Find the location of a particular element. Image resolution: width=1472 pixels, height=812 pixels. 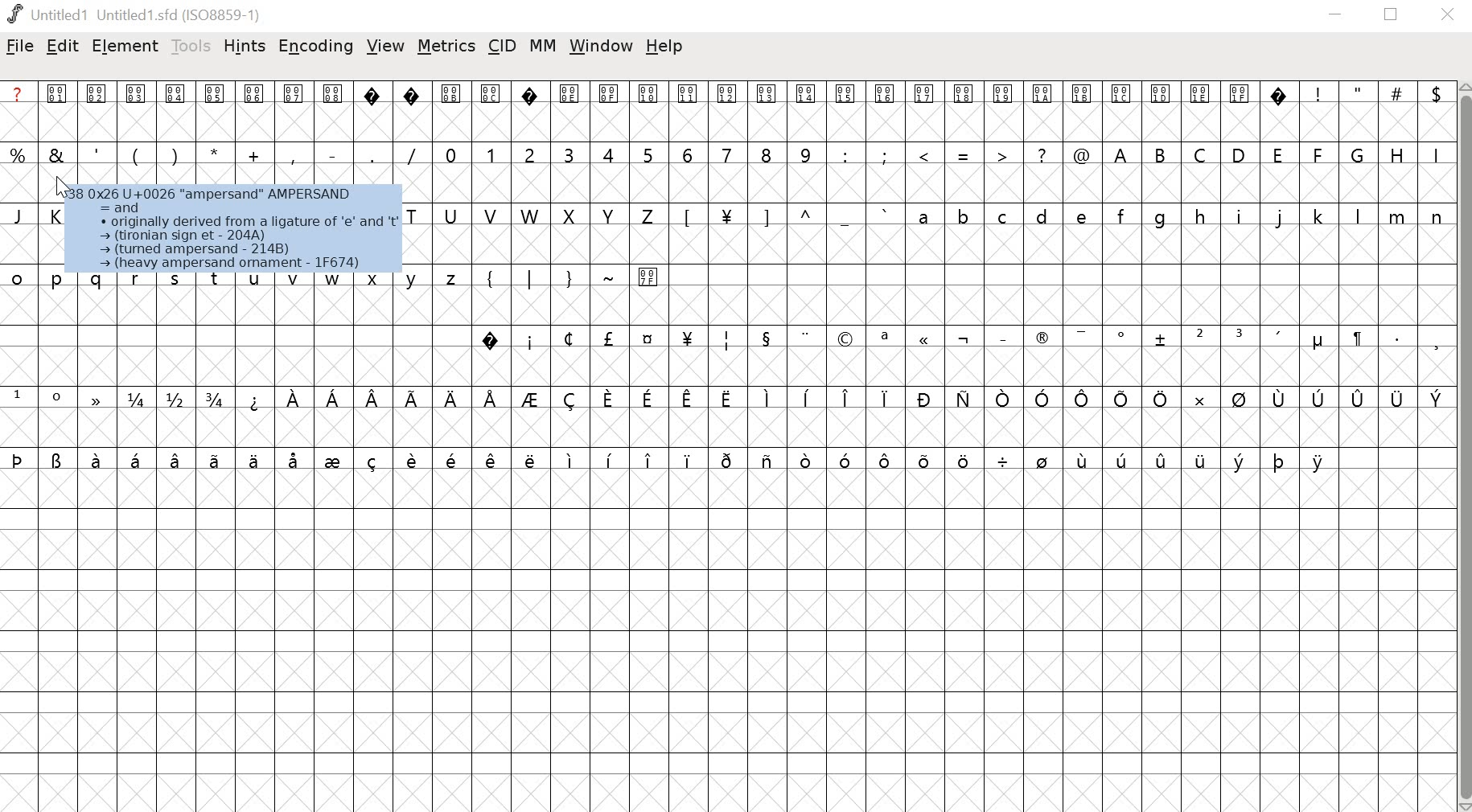

: is located at coordinates (844, 154).